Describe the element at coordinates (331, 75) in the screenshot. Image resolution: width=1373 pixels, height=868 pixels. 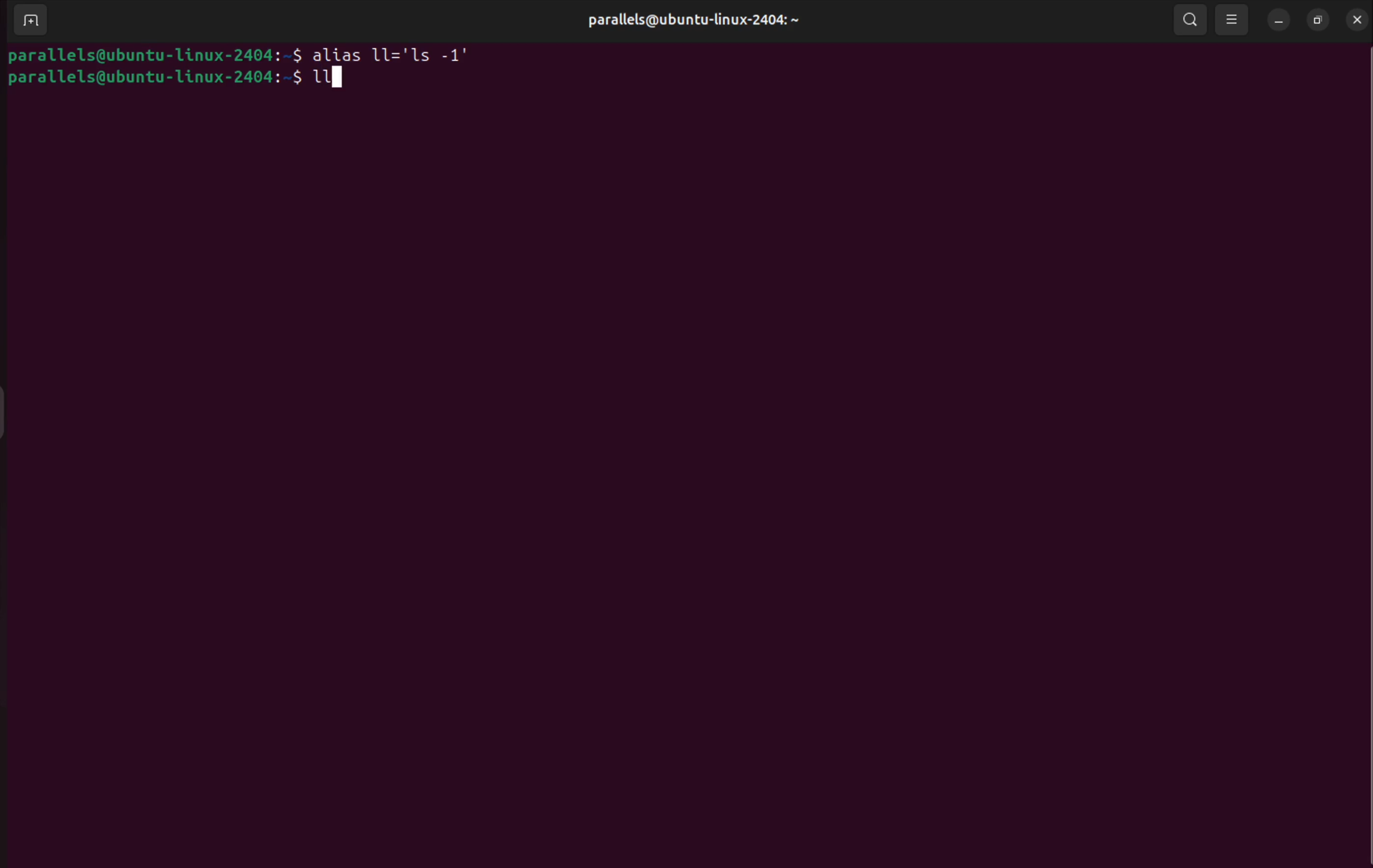
I see `ll` at that location.